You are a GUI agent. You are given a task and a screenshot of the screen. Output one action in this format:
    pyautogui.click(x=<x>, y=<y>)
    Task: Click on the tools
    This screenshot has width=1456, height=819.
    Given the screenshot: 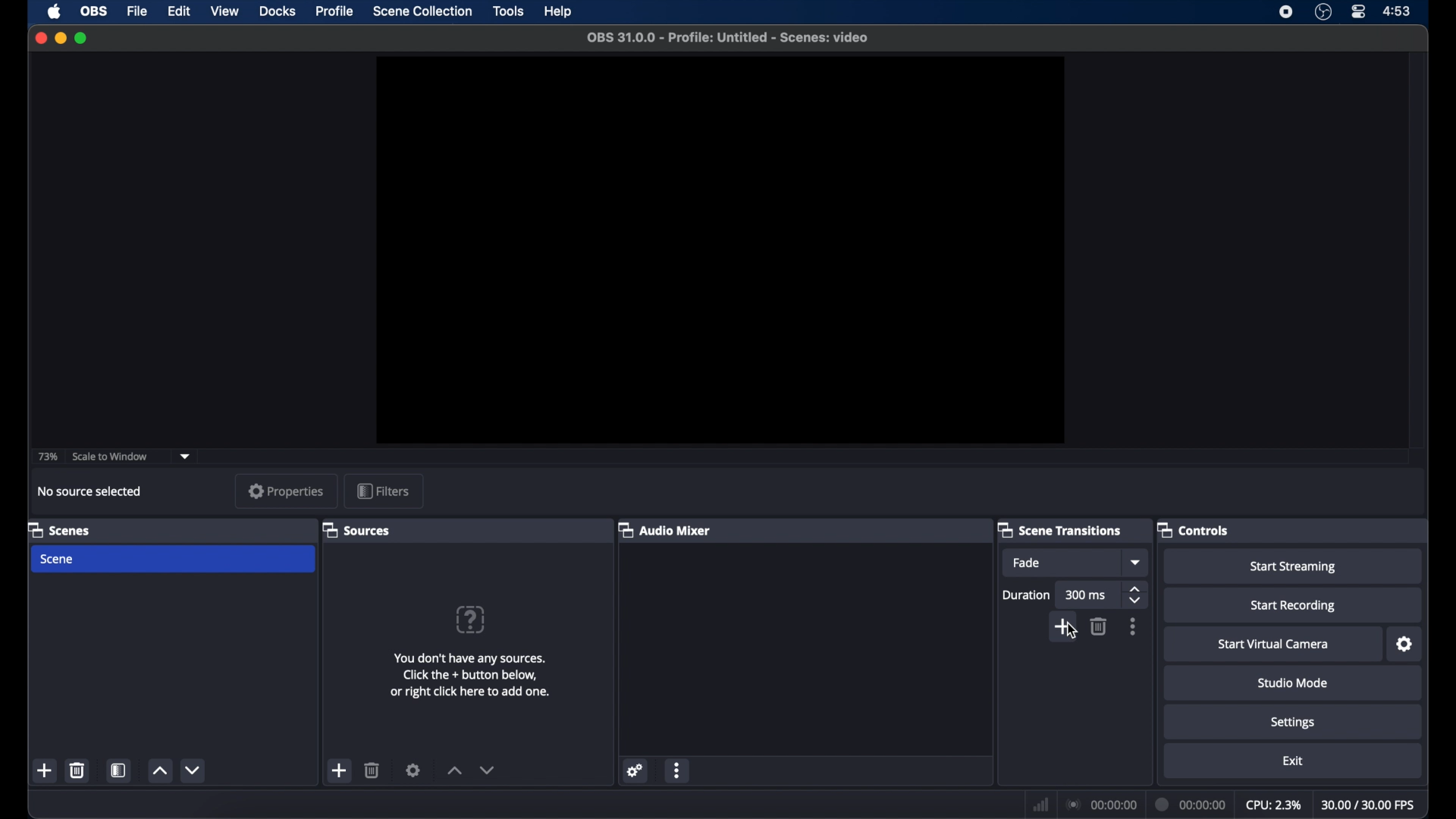 What is the action you would take?
    pyautogui.click(x=509, y=12)
    